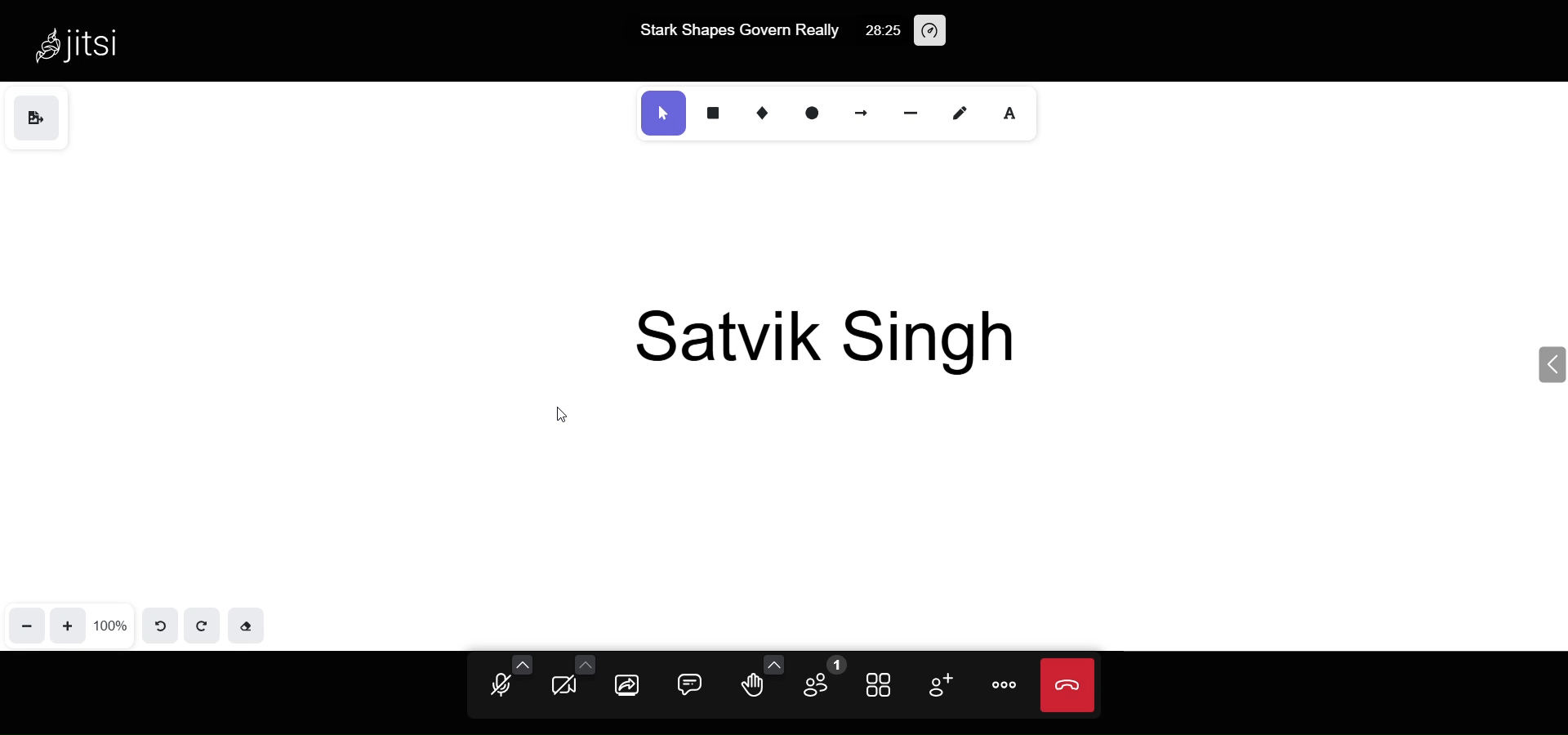  Describe the element at coordinates (686, 686) in the screenshot. I see `chat` at that location.